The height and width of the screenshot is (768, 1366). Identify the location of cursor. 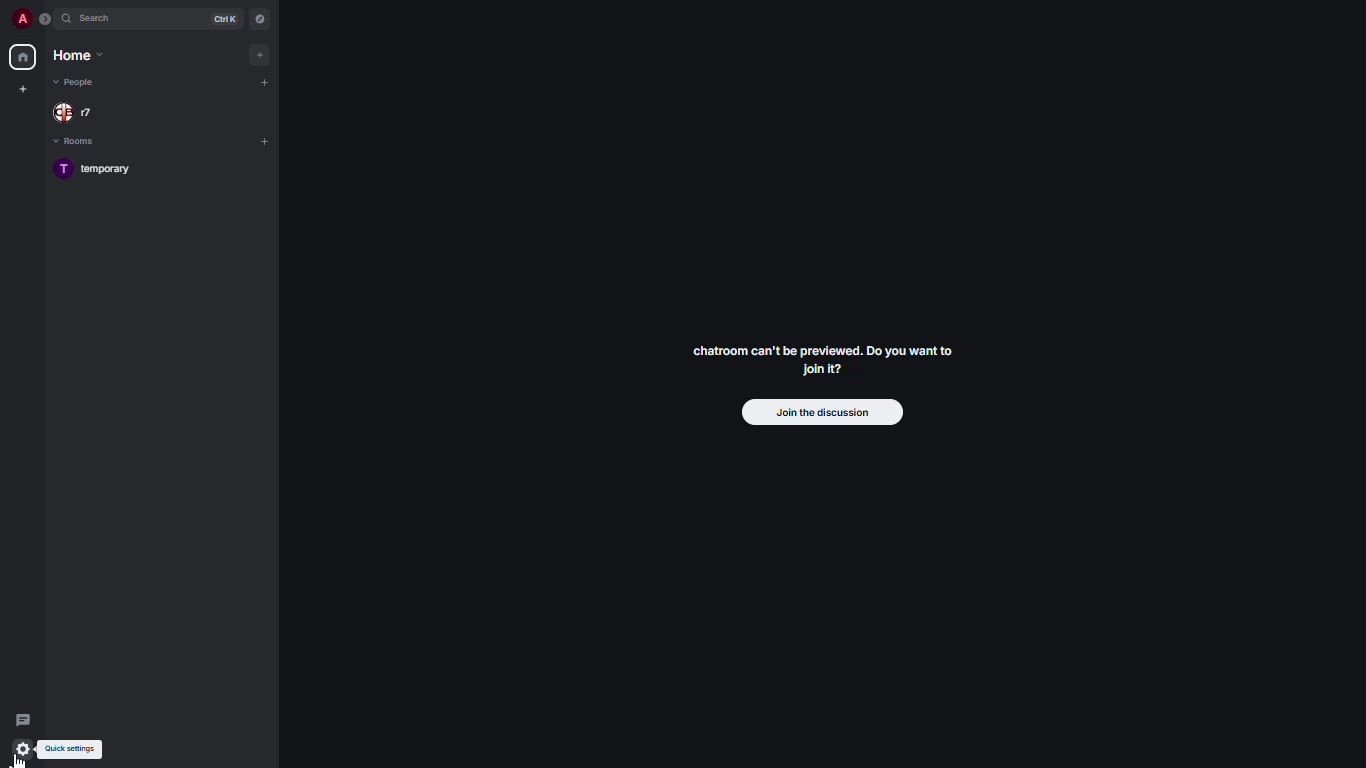
(20, 759).